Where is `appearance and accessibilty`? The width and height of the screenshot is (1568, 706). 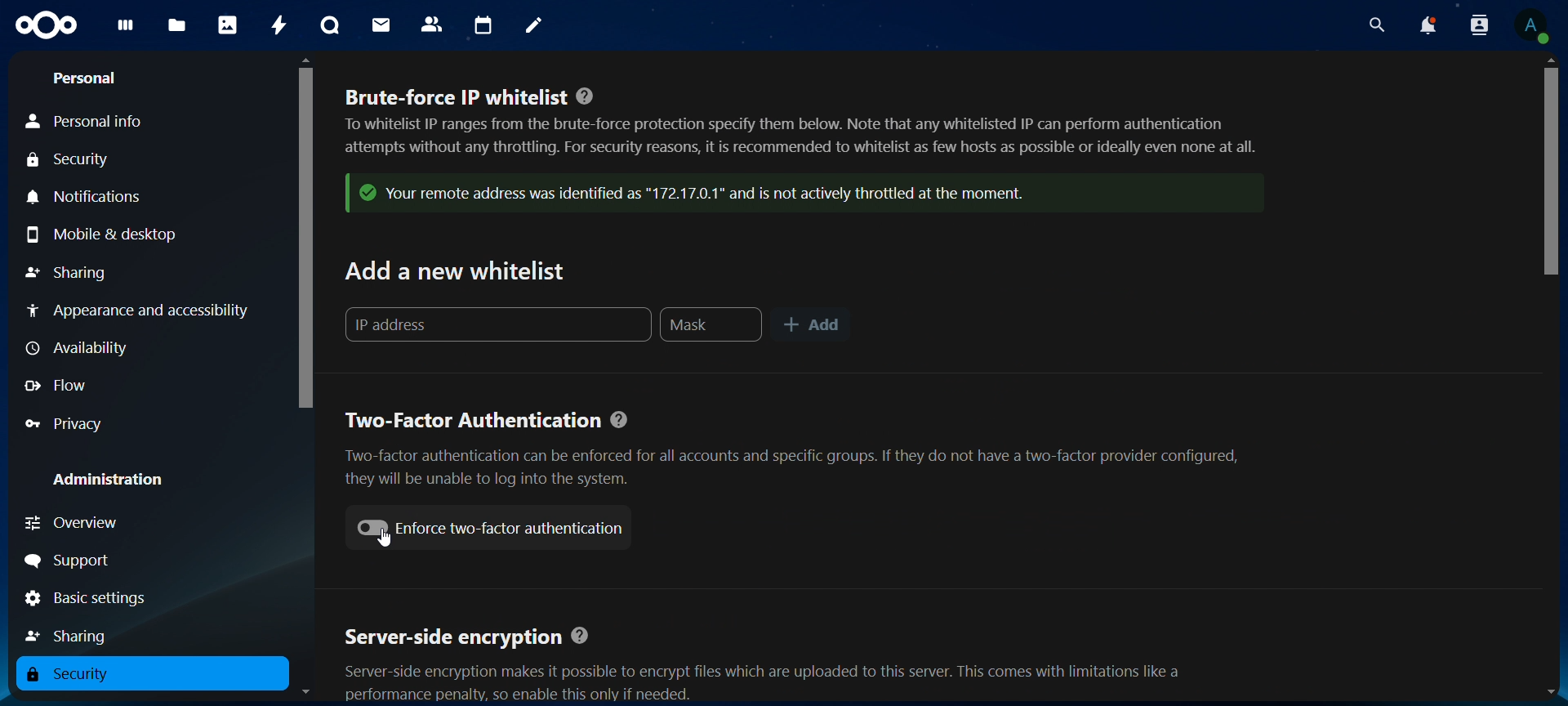
appearance and accessibilty is located at coordinates (145, 311).